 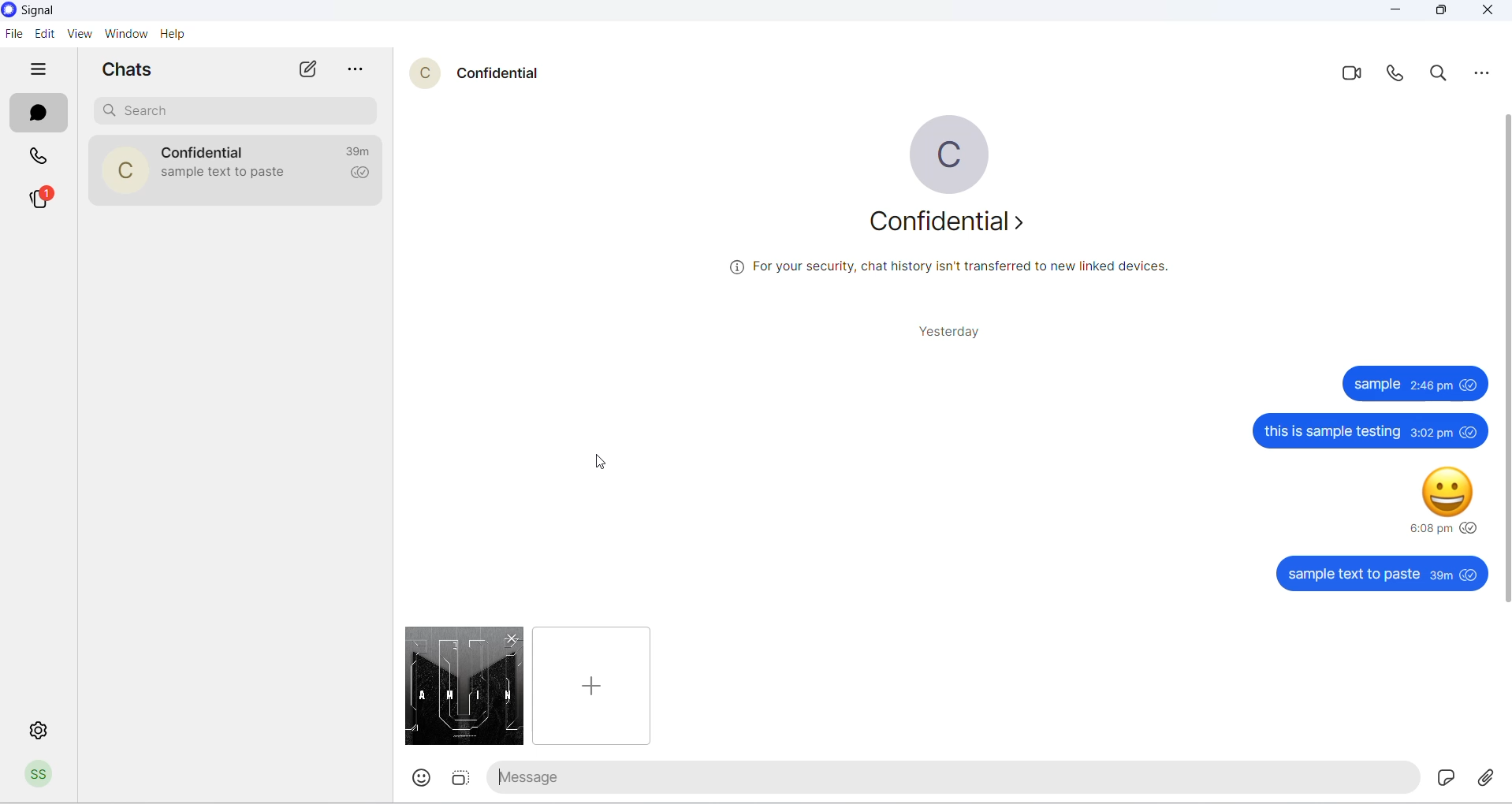 What do you see at coordinates (1473, 386) in the screenshot?
I see `seen` at bounding box center [1473, 386].